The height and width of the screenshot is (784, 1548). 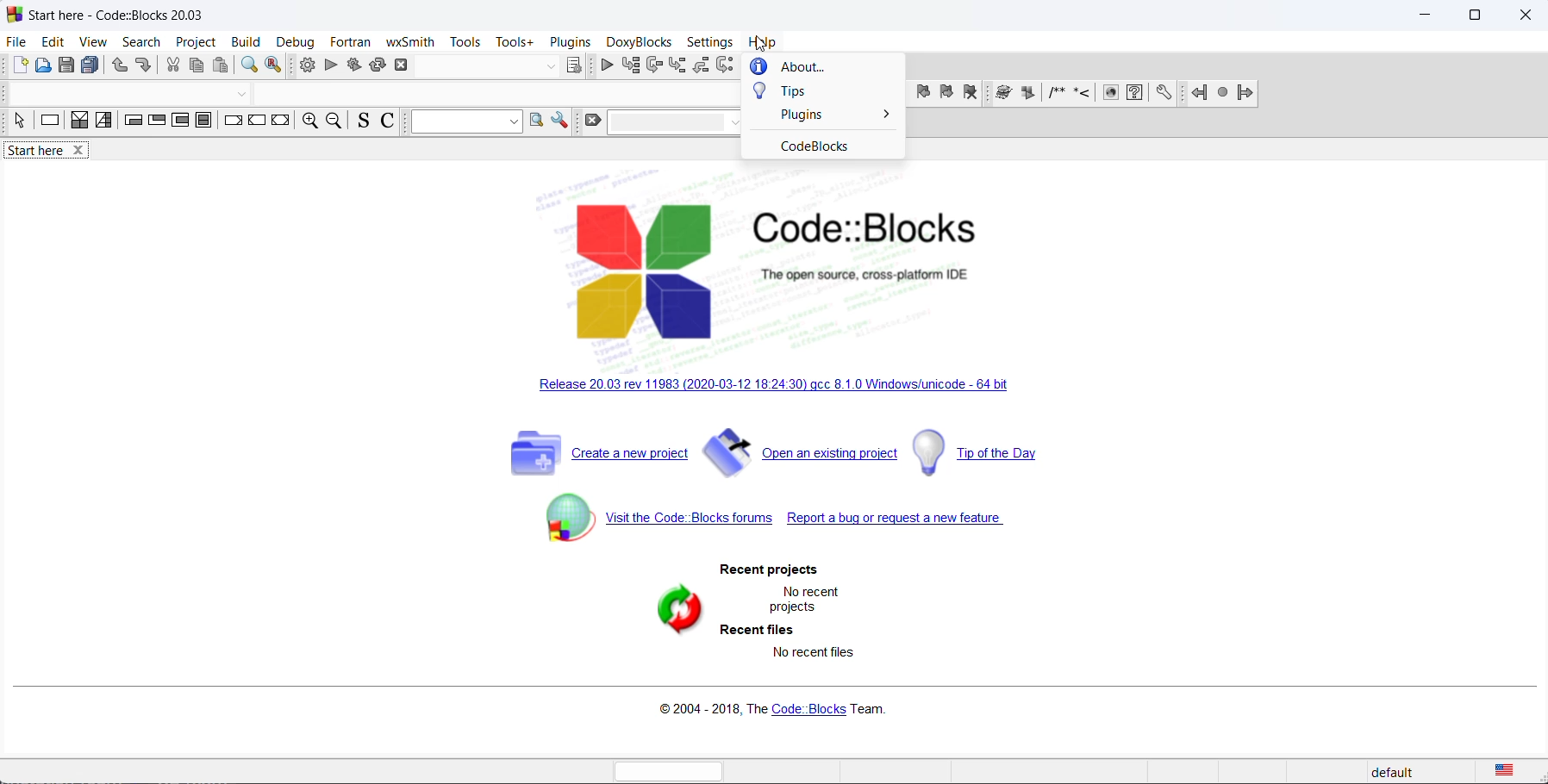 What do you see at coordinates (360, 123) in the screenshot?
I see `toggle source` at bounding box center [360, 123].